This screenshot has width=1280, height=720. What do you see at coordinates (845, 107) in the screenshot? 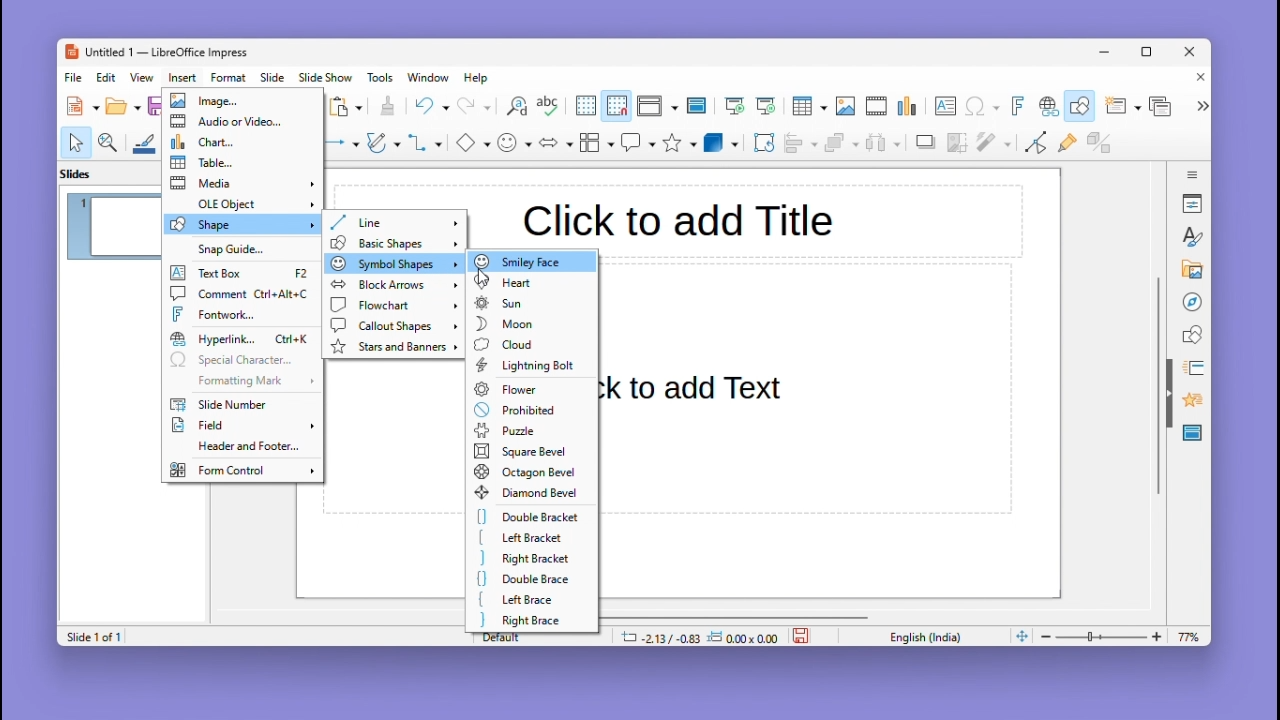
I see `Image` at bounding box center [845, 107].